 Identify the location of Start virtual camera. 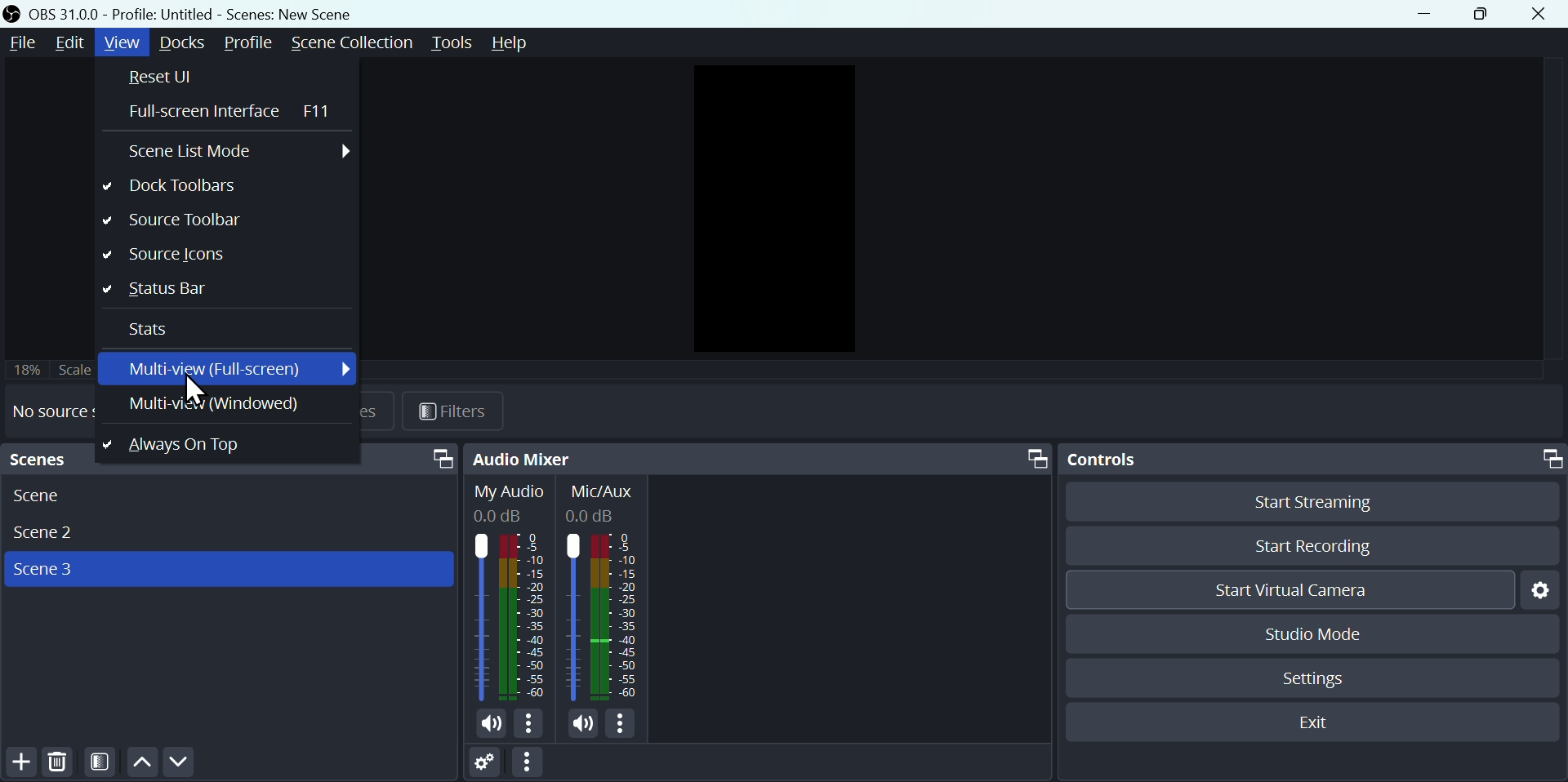
(1290, 587).